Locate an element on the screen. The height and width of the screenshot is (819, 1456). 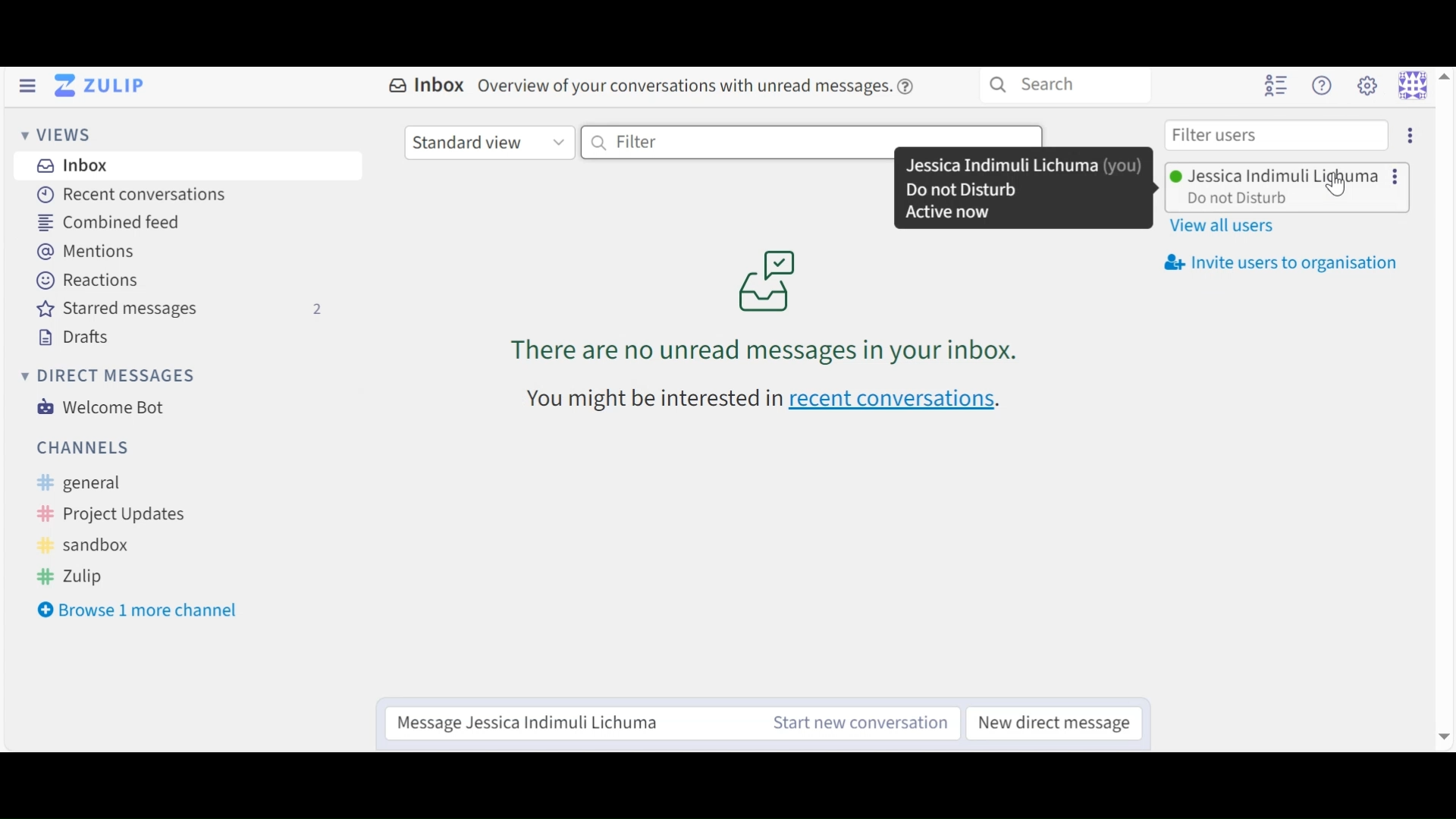
Invite users to organisation is located at coordinates (1408, 138).